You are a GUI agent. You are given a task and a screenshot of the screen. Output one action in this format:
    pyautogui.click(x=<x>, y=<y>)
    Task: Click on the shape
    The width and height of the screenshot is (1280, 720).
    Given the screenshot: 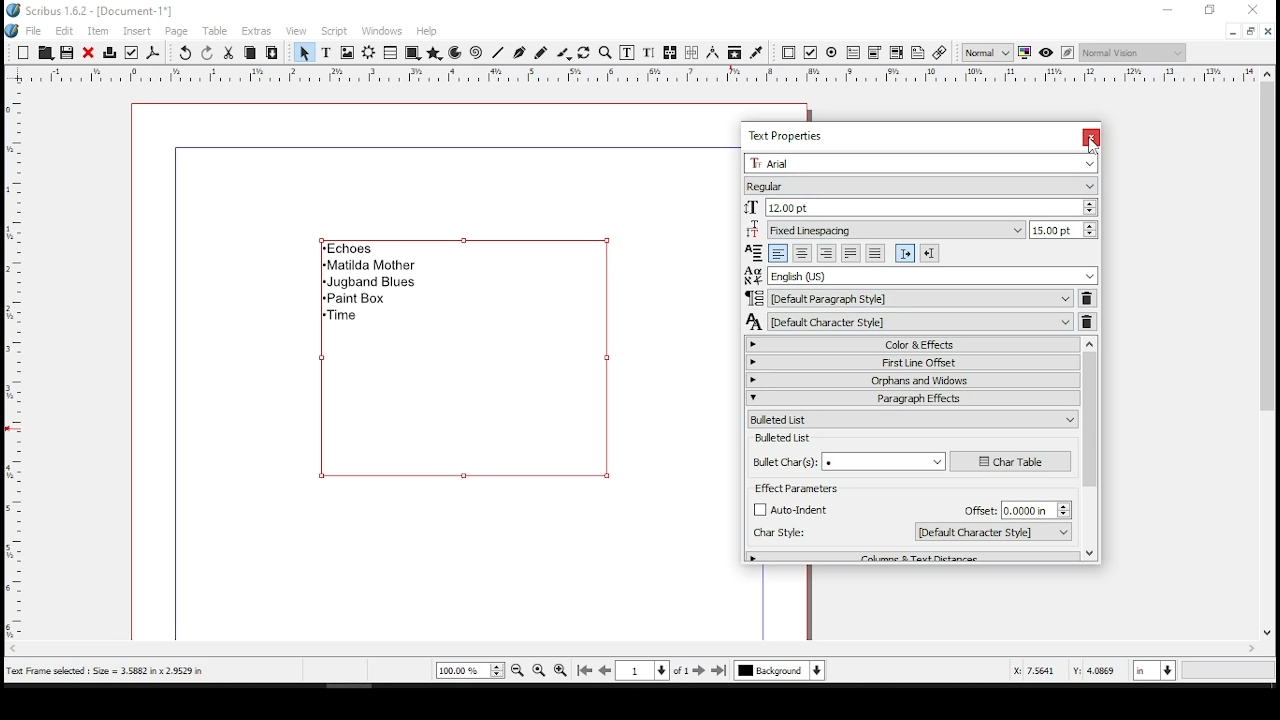 What is the action you would take?
    pyautogui.click(x=411, y=52)
    